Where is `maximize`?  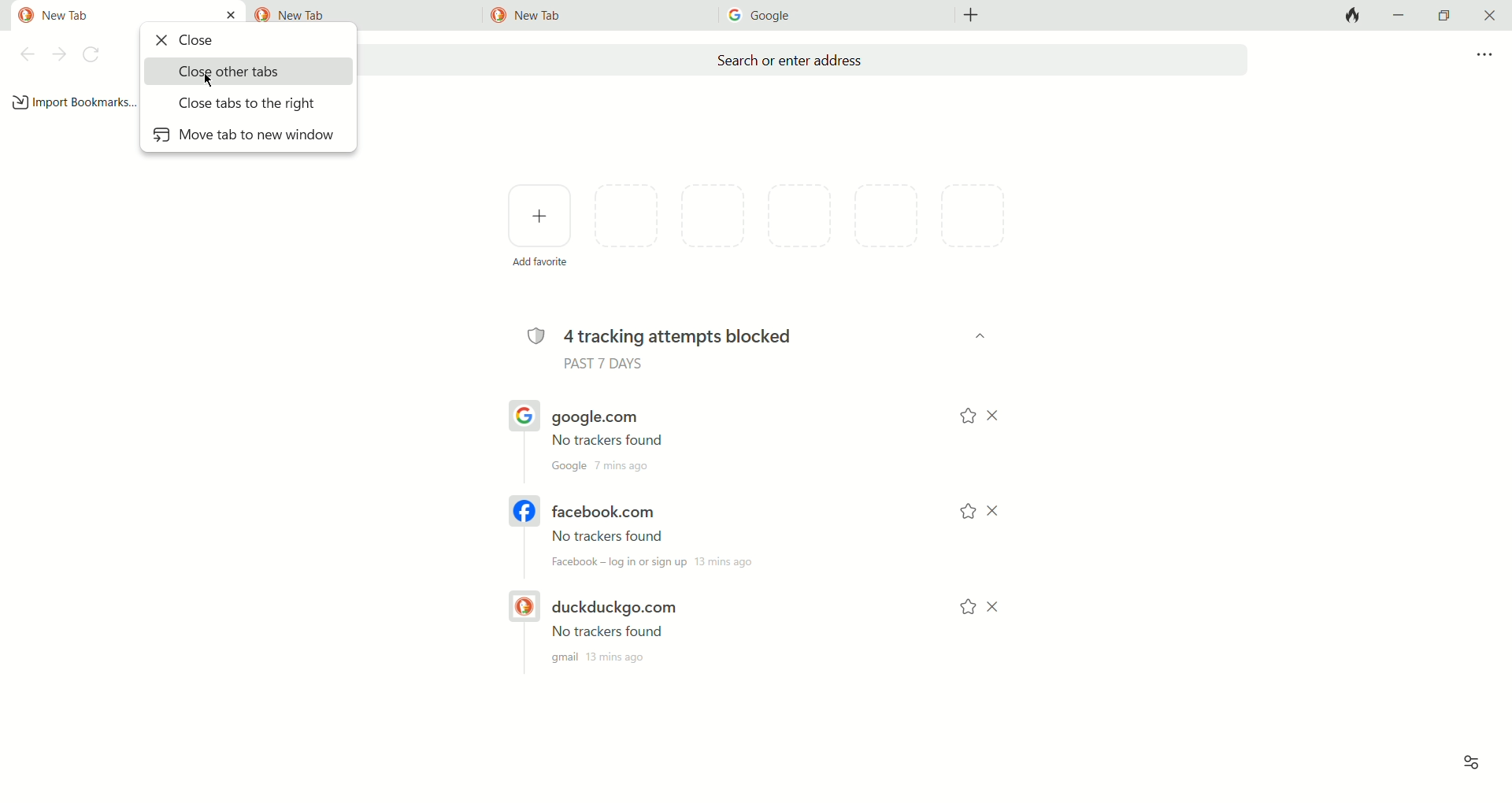
maximize is located at coordinates (1442, 17).